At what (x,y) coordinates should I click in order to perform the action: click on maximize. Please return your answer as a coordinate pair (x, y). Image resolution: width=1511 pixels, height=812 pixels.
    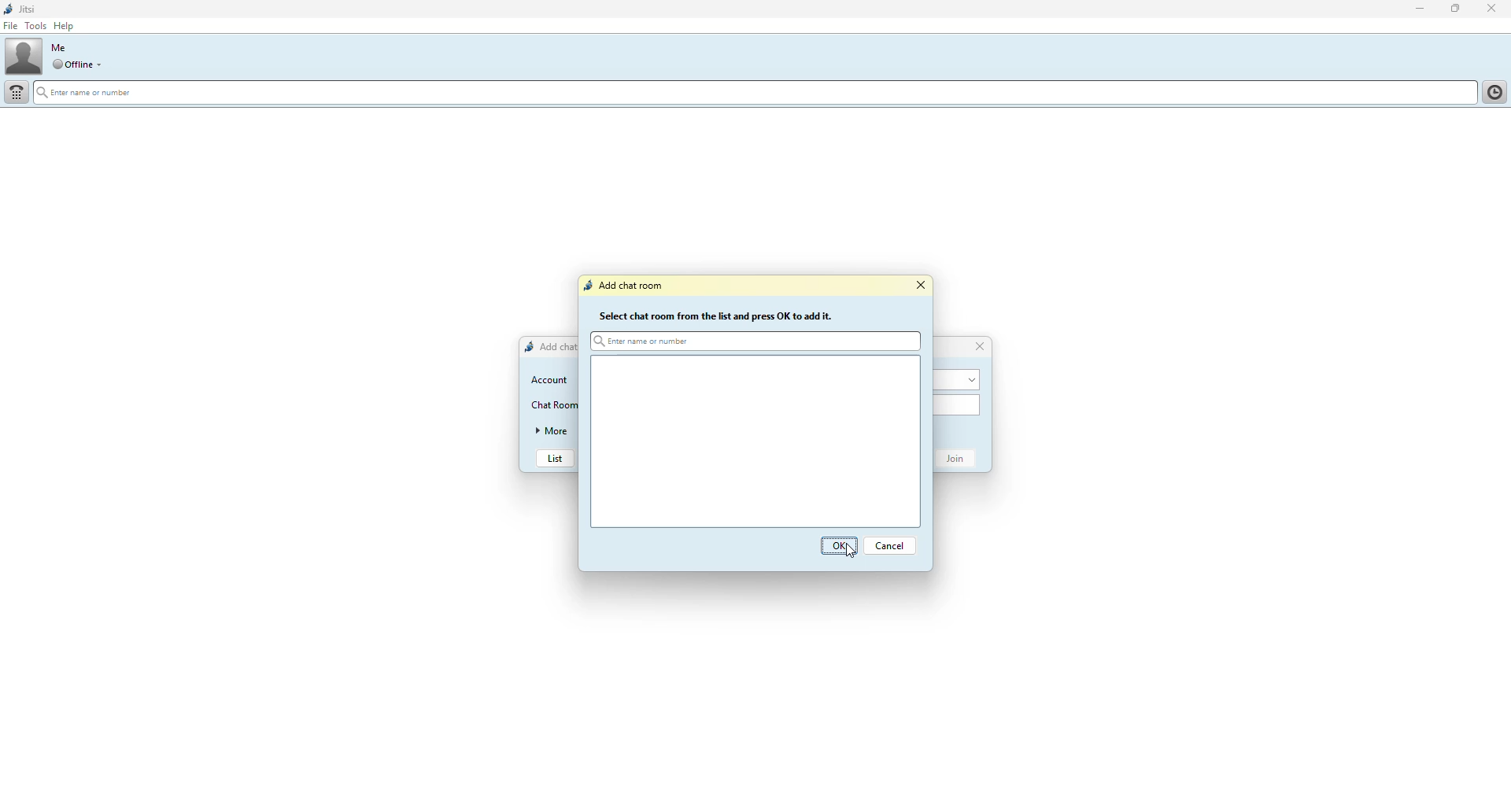
    Looking at the image, I should click on (1452, 8).